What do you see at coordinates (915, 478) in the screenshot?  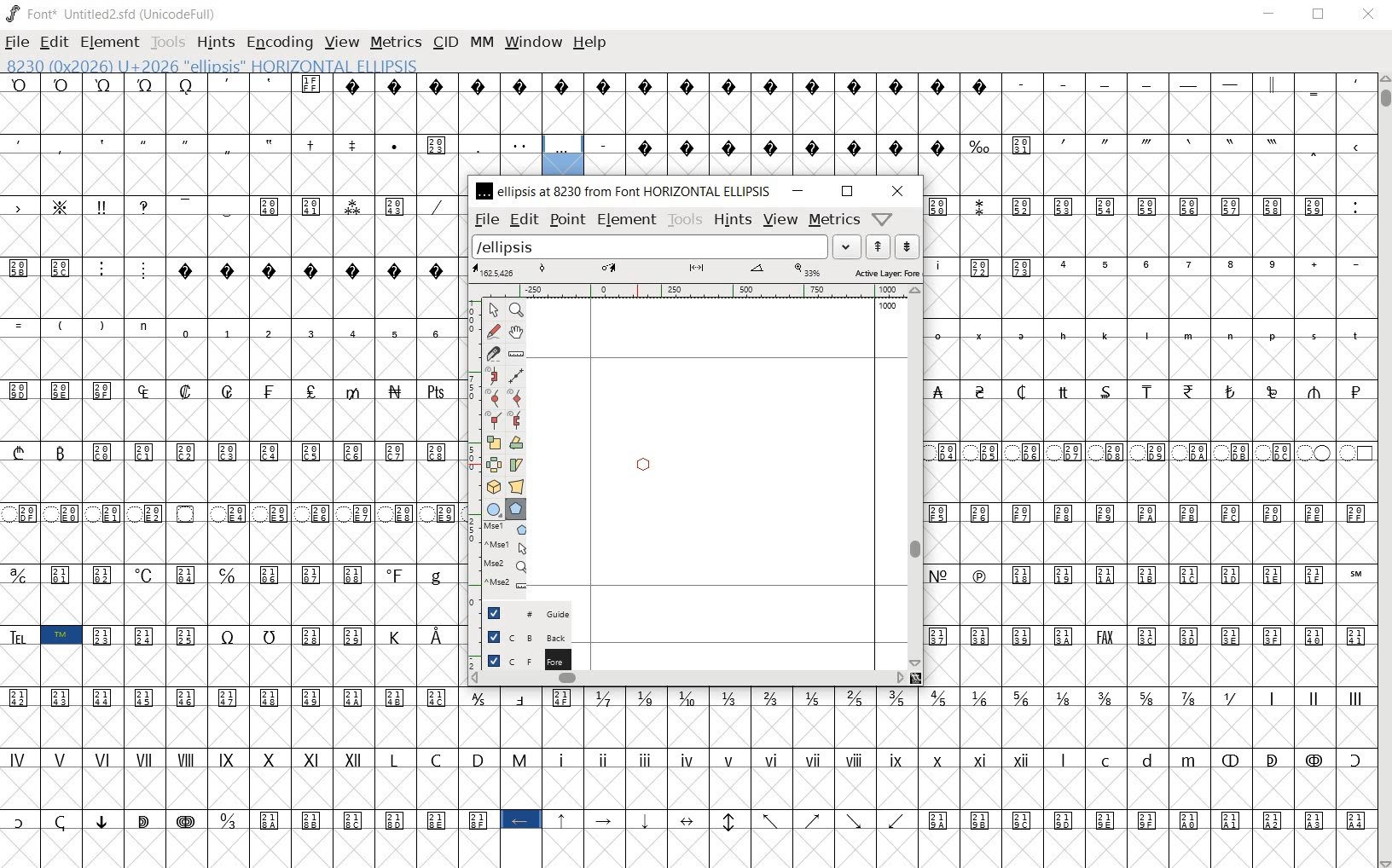 I see `scrollbar` at bounding box center [915, 478].